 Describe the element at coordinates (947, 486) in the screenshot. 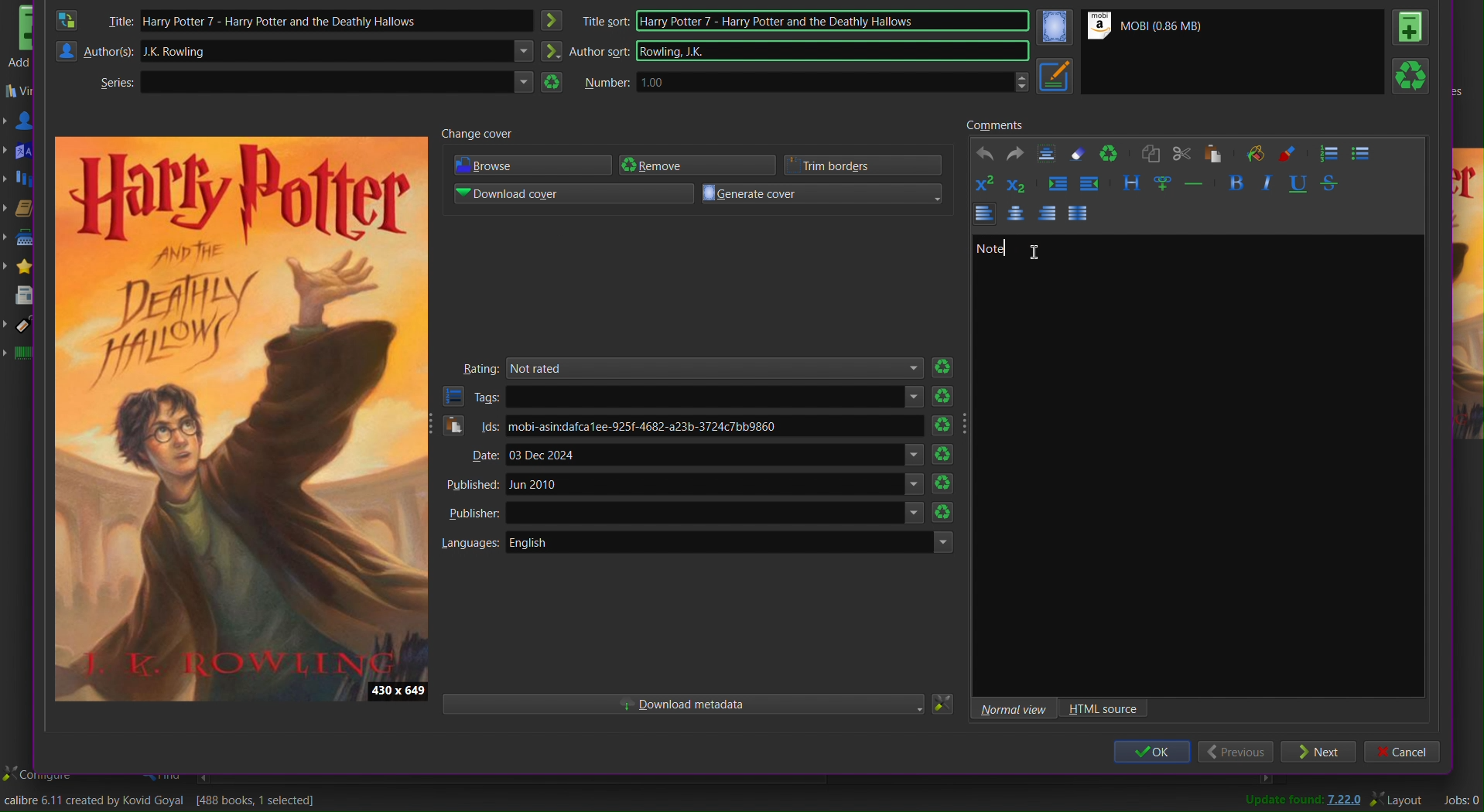

I see `Refresh` at that location.